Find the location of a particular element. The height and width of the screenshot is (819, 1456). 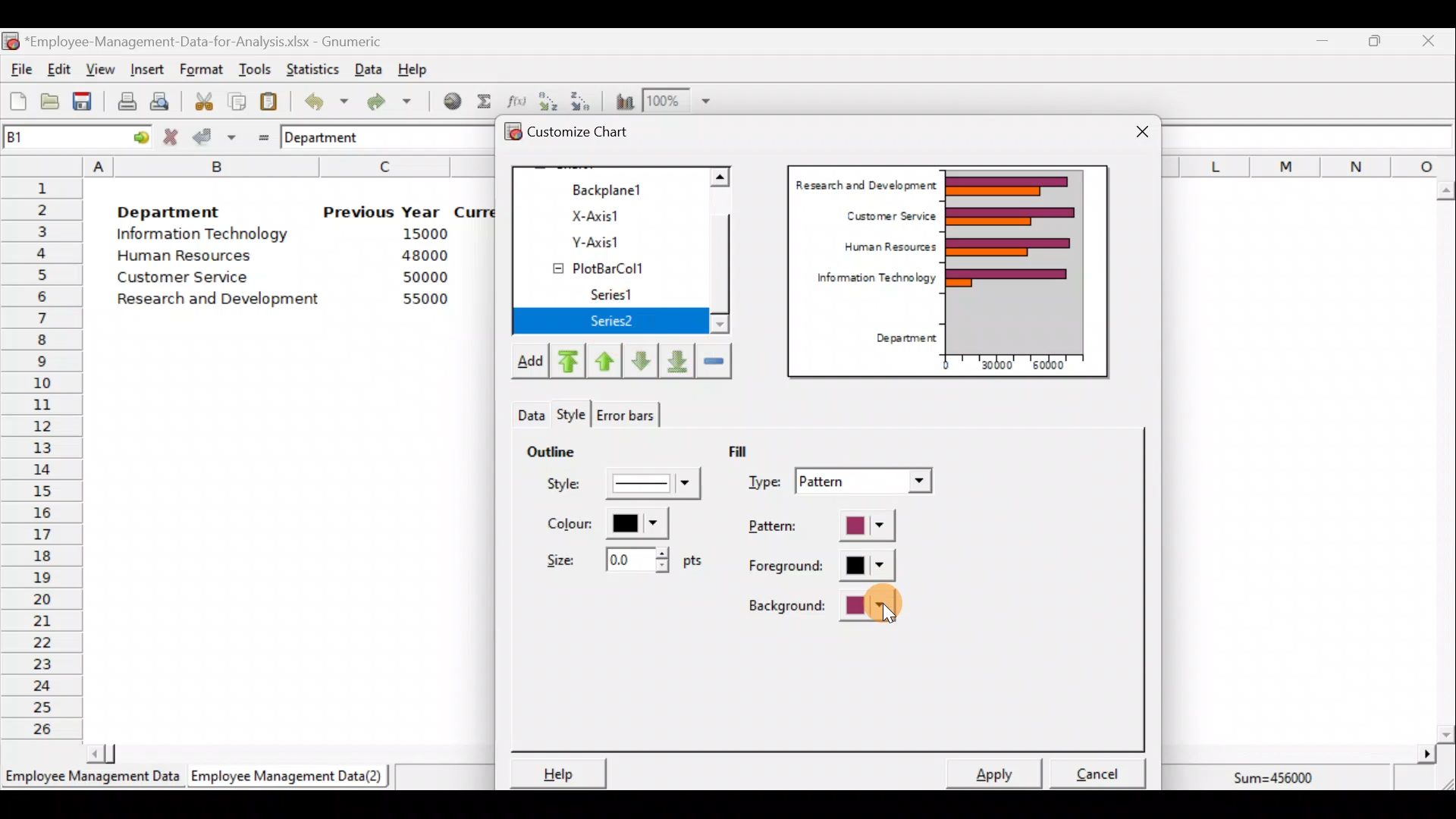

Previous Year is located at coordinates (382, 212).